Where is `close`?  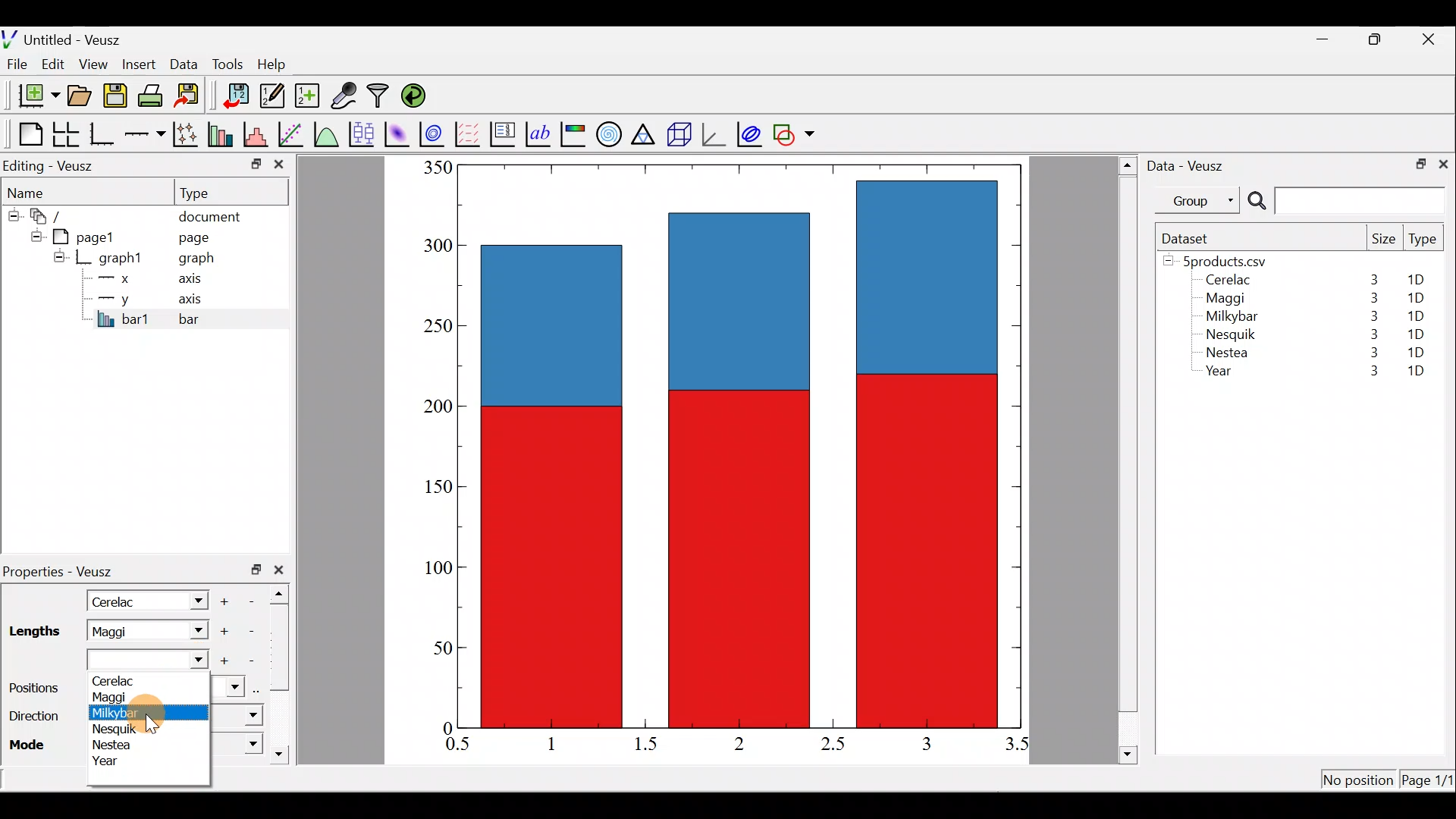 close is located at coordinates (282, 570).